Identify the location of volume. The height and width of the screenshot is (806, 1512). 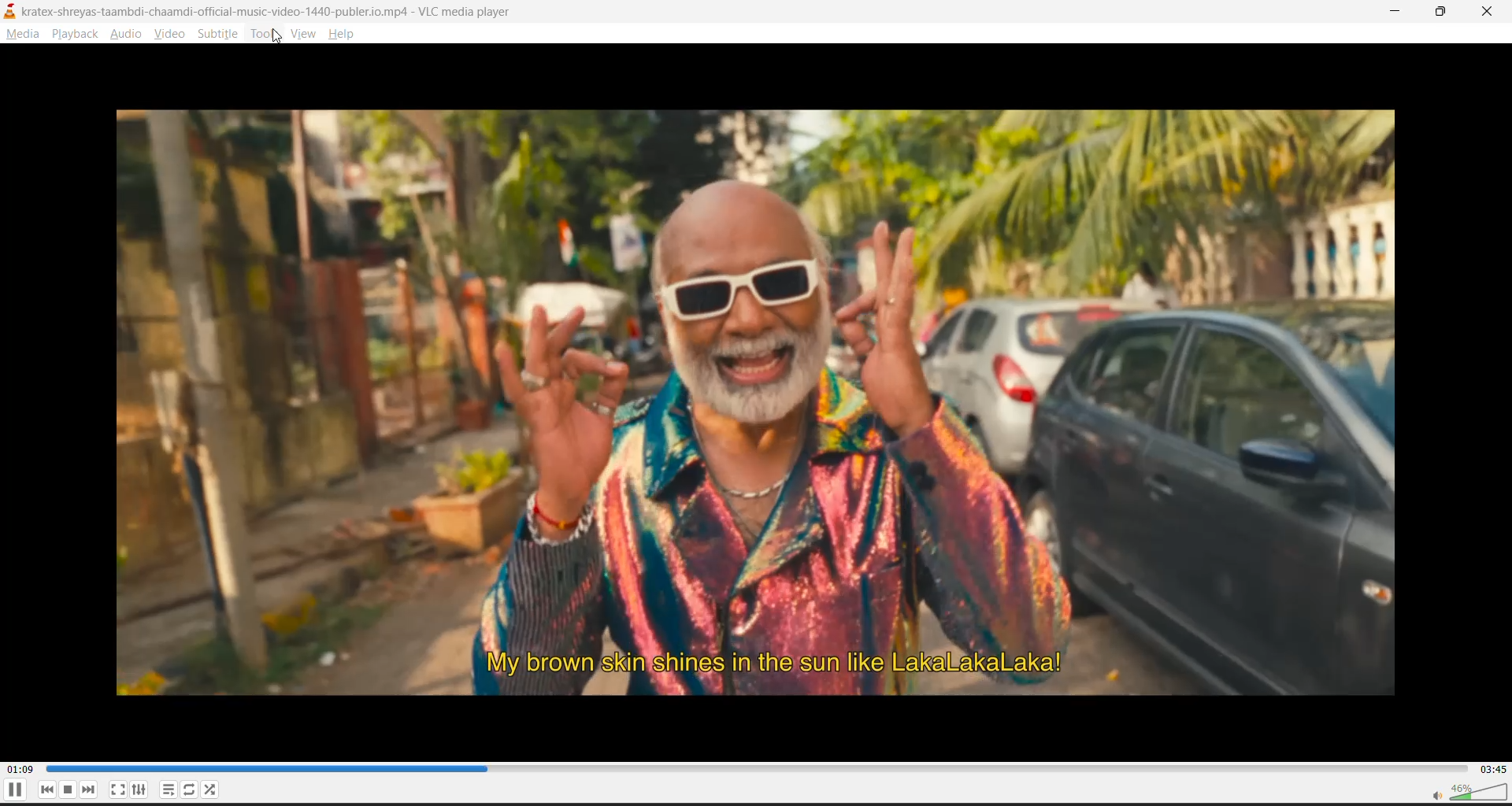
(1467, 792).